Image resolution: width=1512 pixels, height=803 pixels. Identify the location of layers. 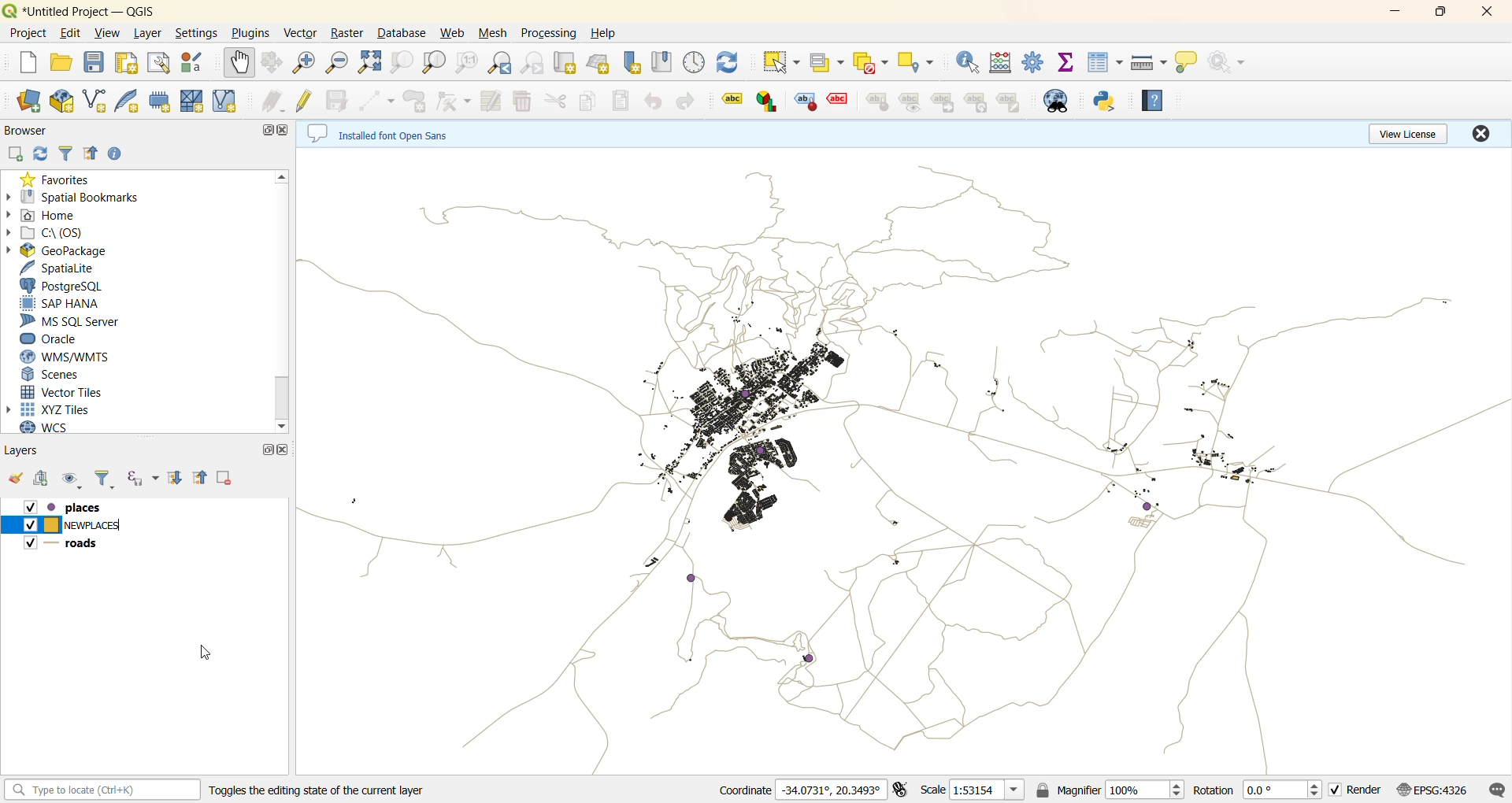
(28, 451).